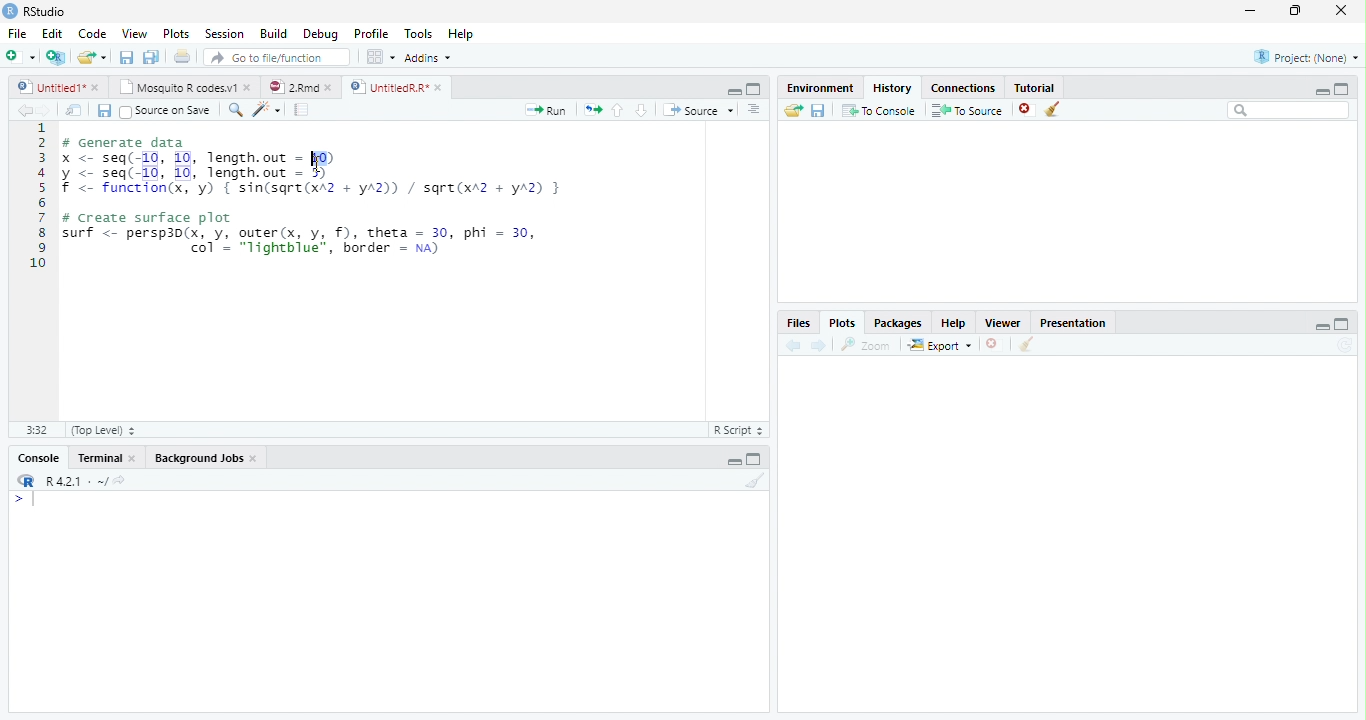 This screenshot has width=1366, height=720. I want to click on minimize, so click(1250, 10).